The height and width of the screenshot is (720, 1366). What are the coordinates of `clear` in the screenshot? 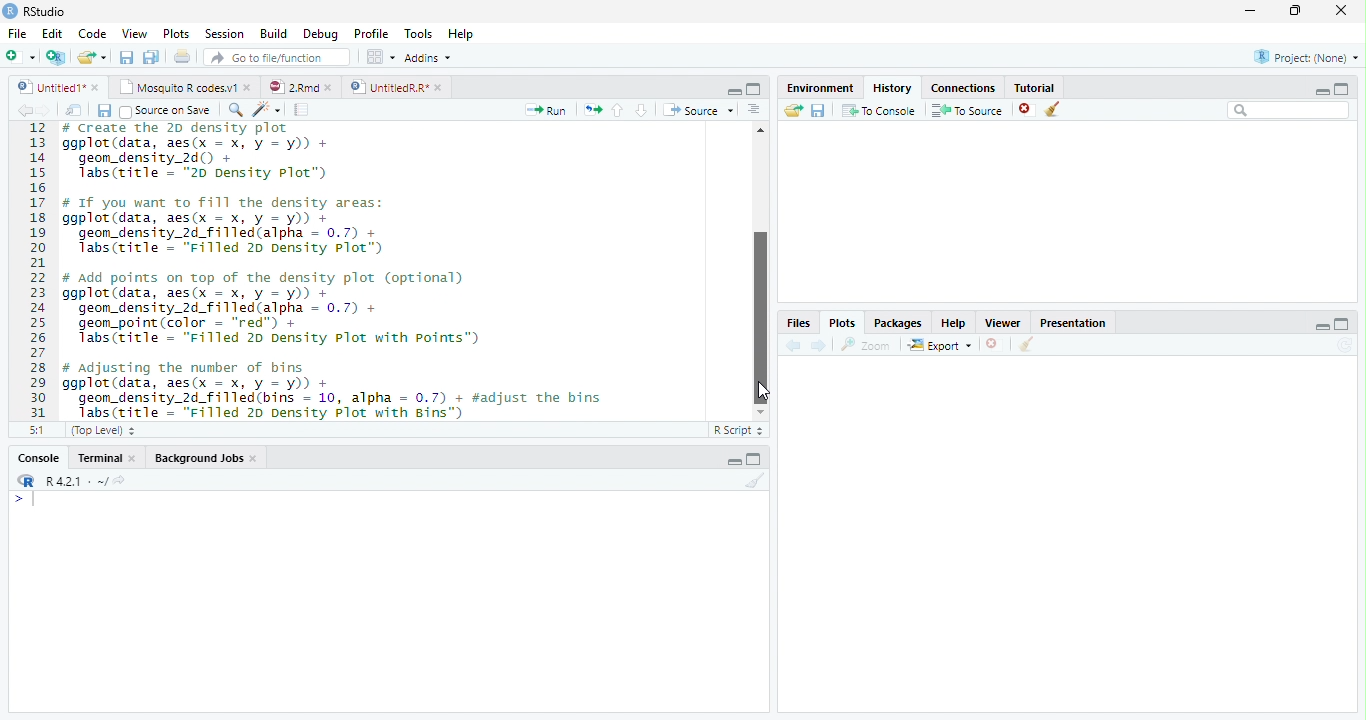 It's located at (1026, 346).